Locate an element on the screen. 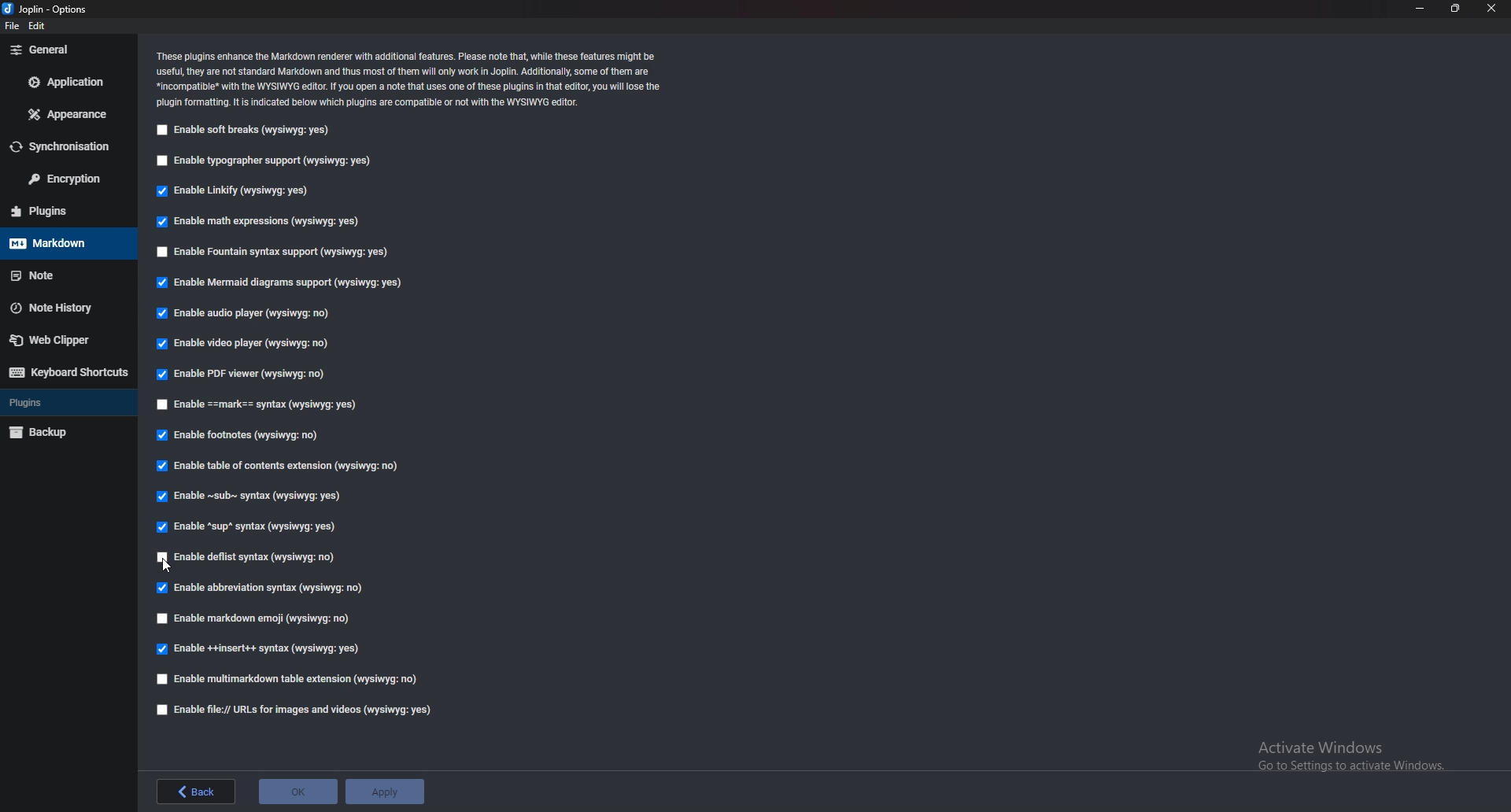 The image size is (1511, 812). plugins is located at coordinates (64, 211).